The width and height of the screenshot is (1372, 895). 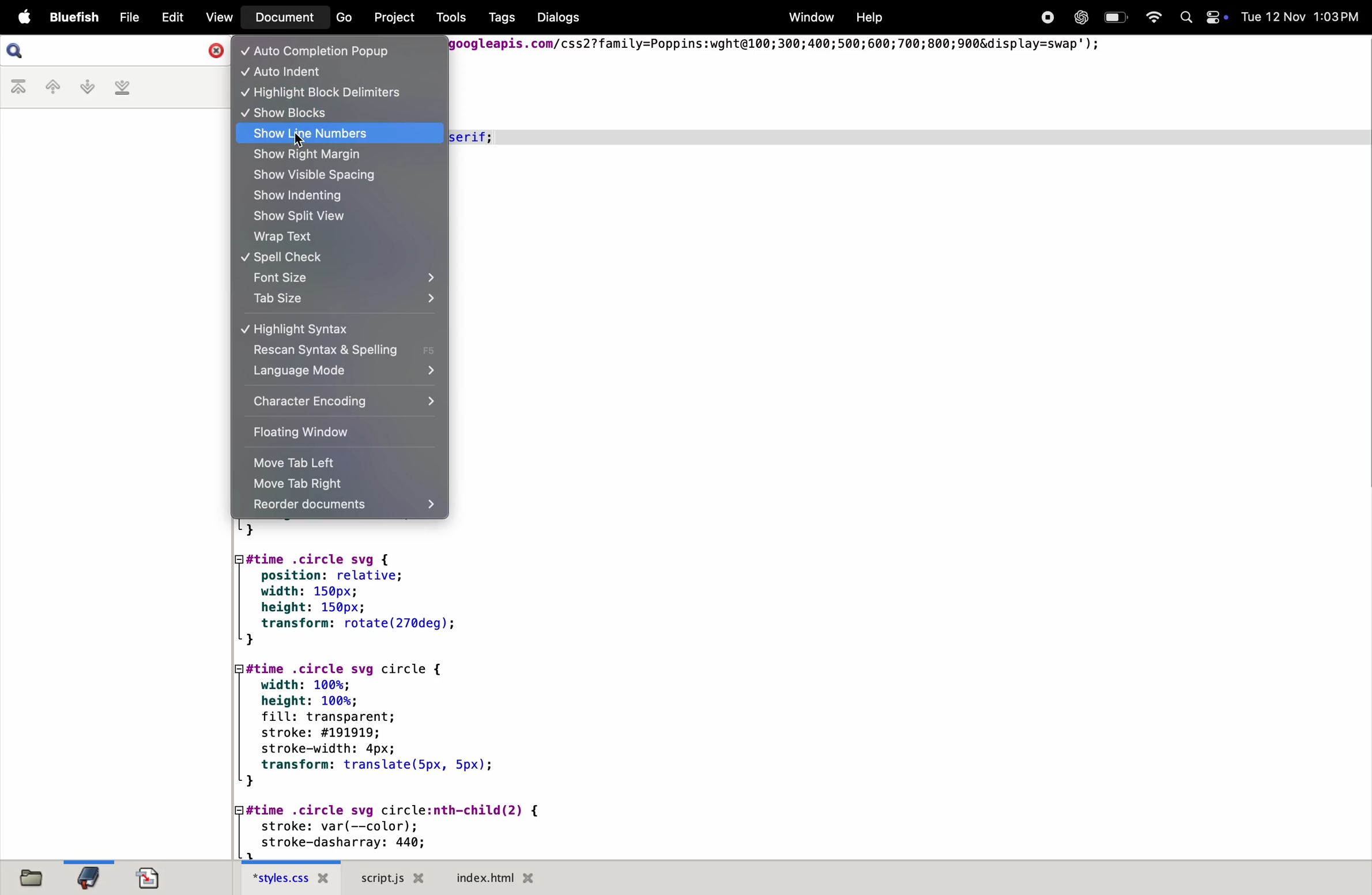 What do you see at coordinates (344, 238) in the screenshot?
I see `wrap text` at bounding box center [344, 238].